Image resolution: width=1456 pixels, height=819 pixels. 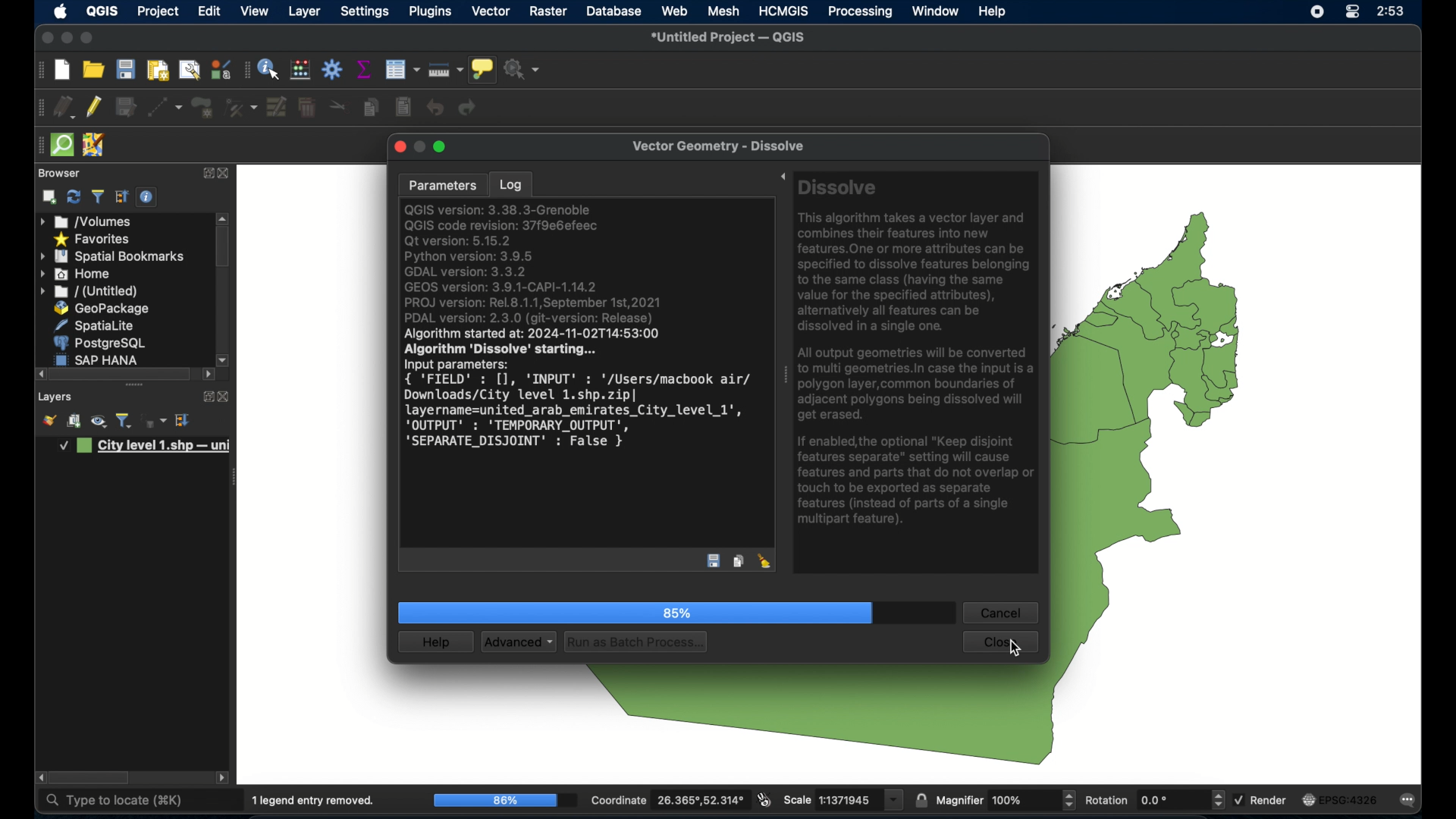 I want to click on digitize with segment, so click(x=165, y=108).